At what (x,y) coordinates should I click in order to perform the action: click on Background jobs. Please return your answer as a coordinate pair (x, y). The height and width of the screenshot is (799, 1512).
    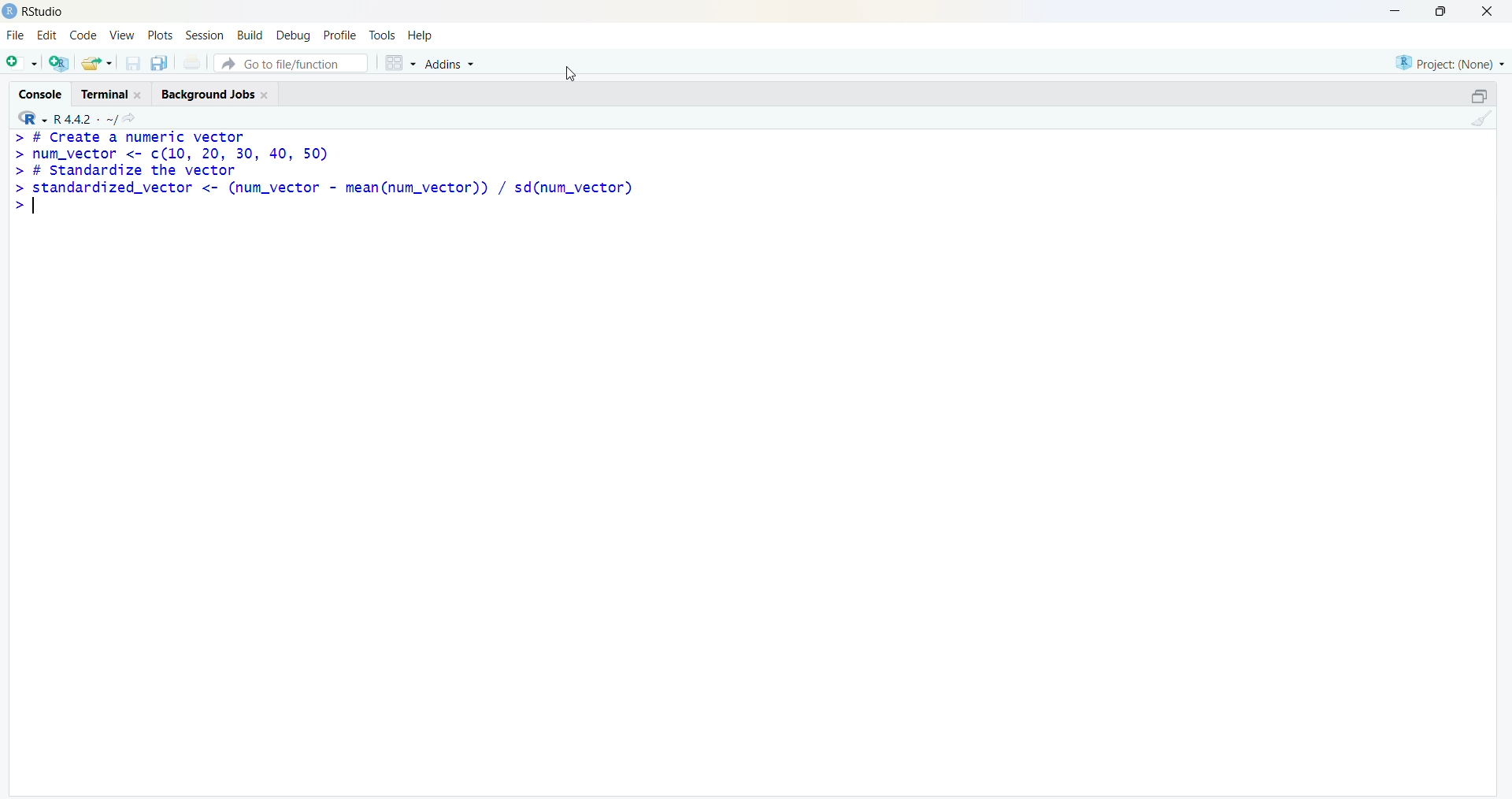
    Looking at the image, I should click on (208, 95).